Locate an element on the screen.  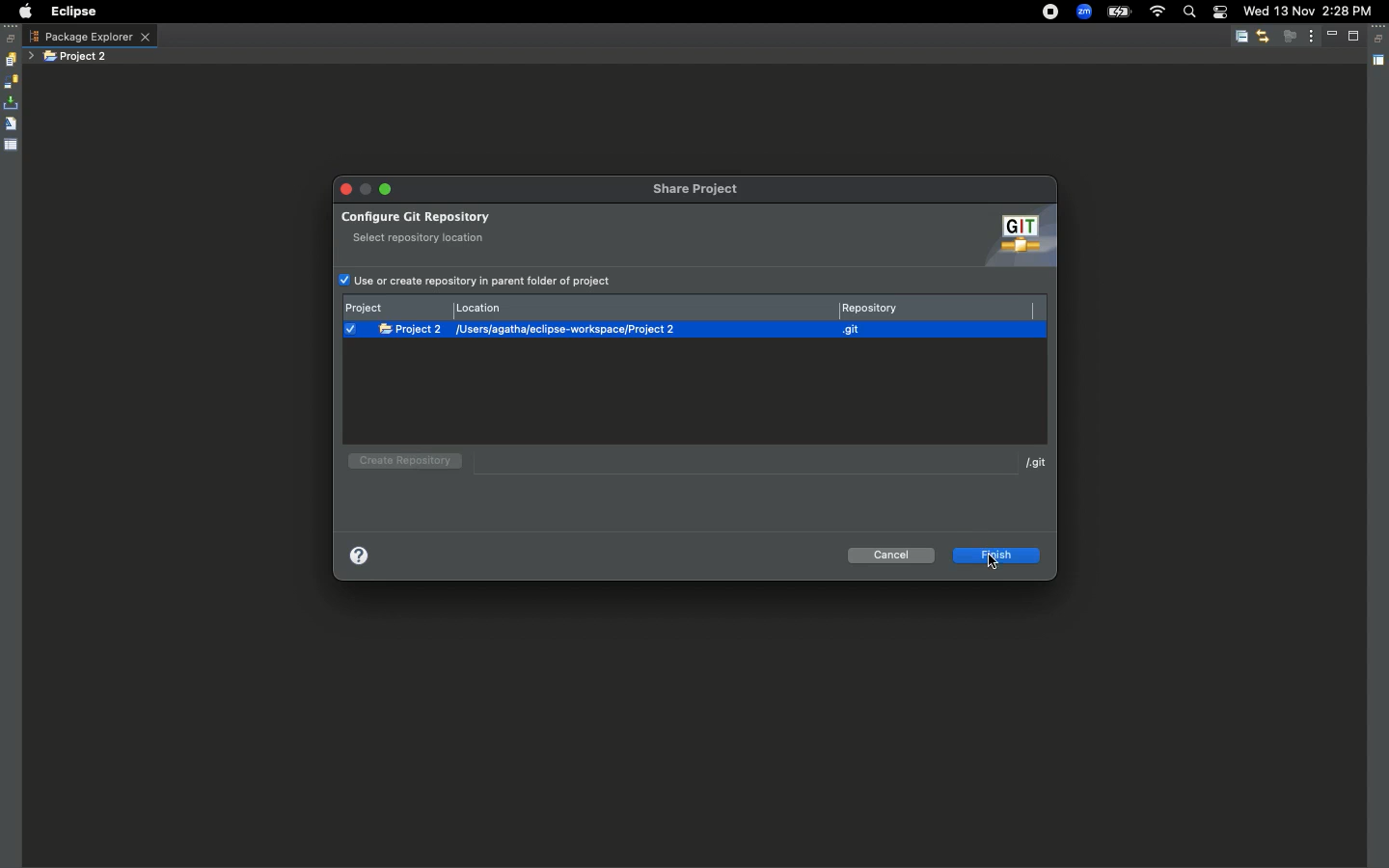
Project 2 /Users/agatha/eclipse-workspace/Project 2, .git is located at coordinates (704, 329).